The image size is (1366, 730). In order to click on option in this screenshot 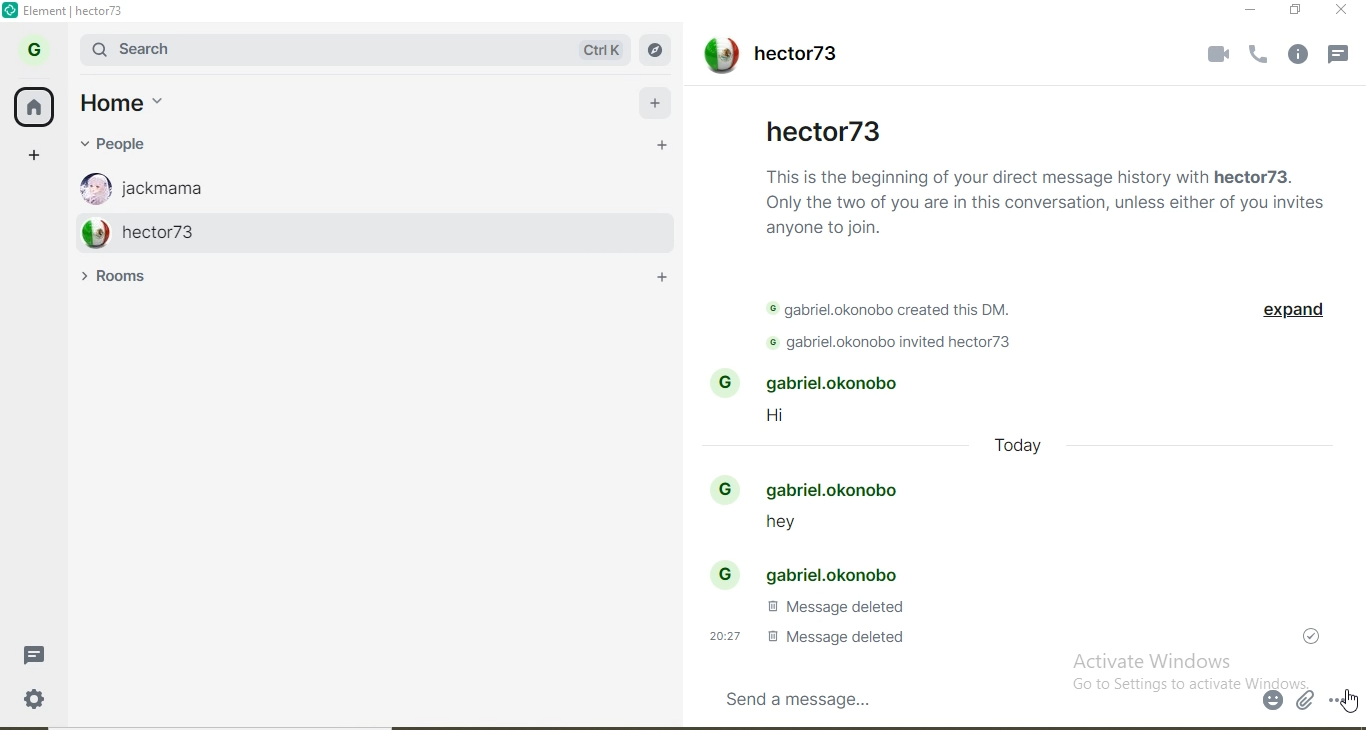, I will do `click(1342, 701)`.